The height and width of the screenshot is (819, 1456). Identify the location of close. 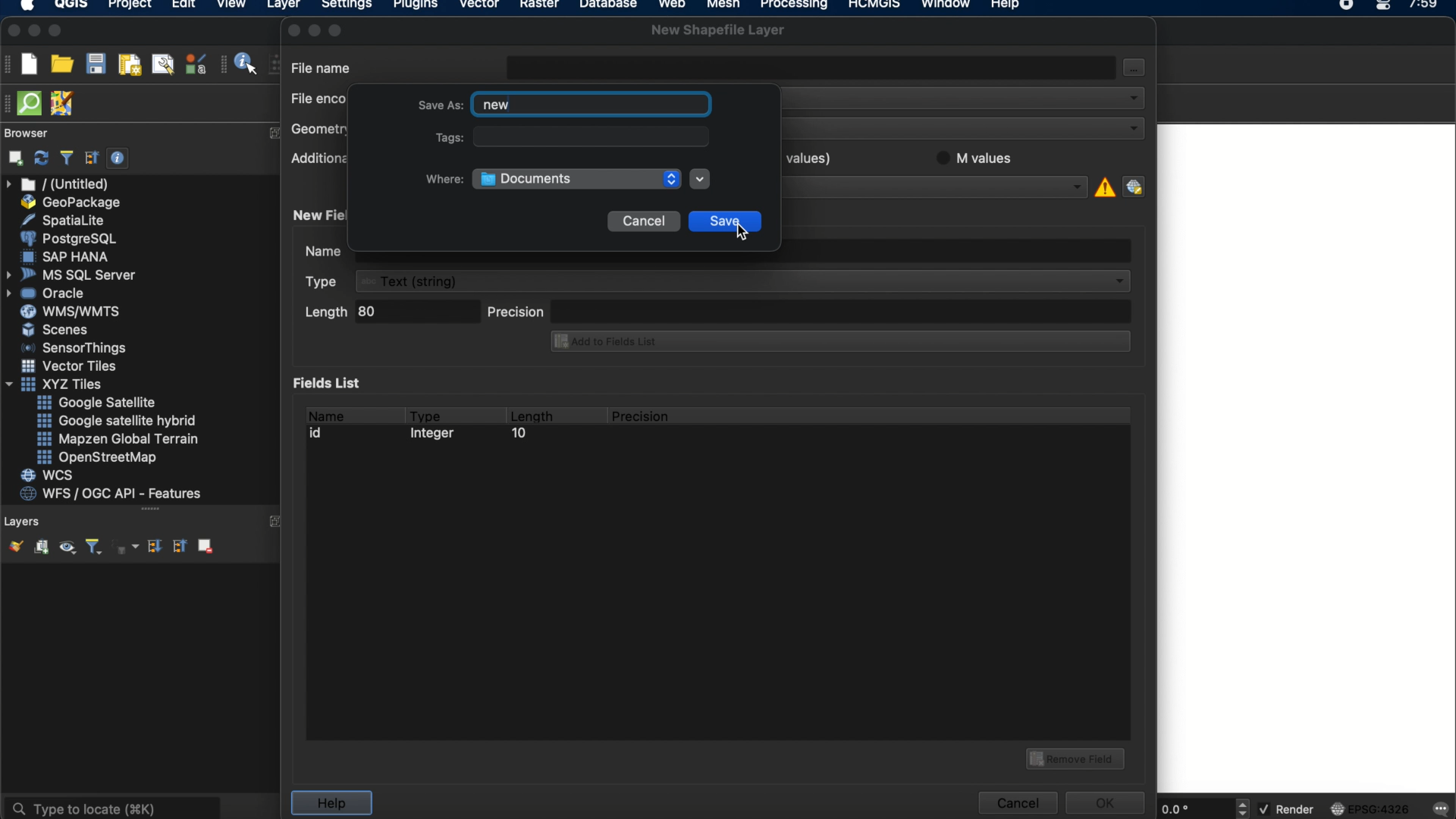
(293, 30).